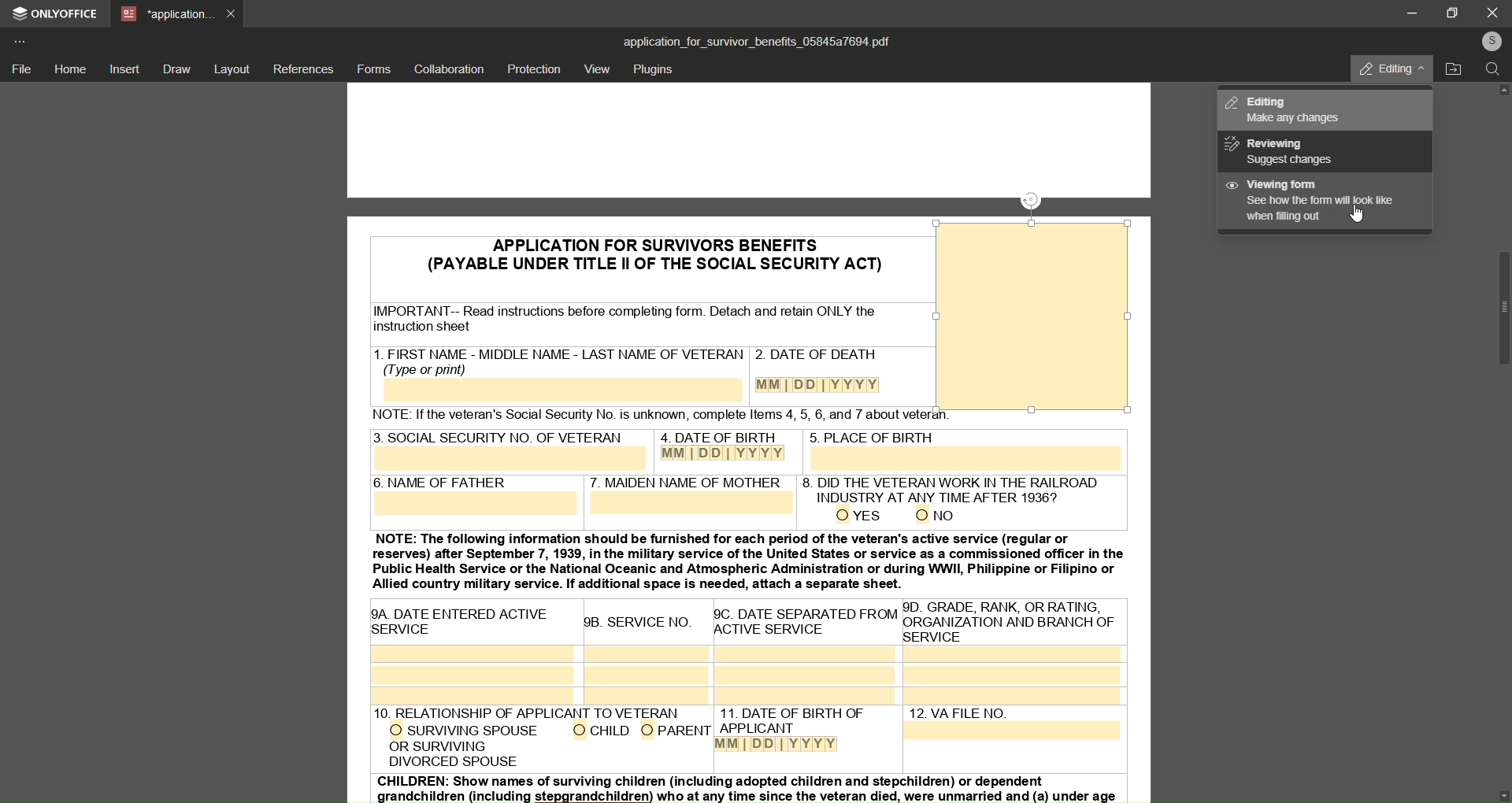 The width and height of the screenshot is (1512, 803). Describe the element at coordinates (448, 69) in the screenshot. I see `collaboration` at that location.